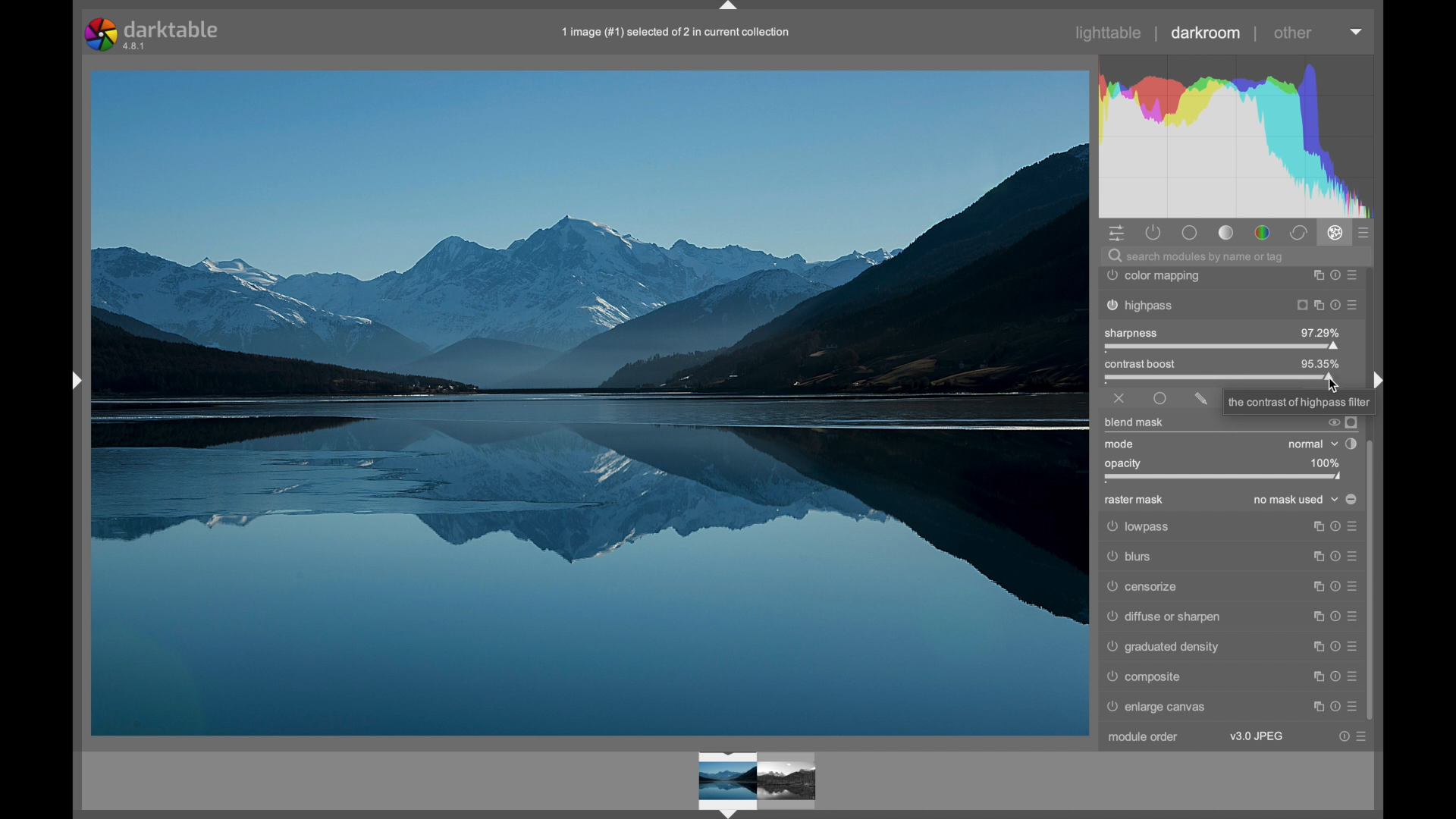  Describe the element at coordinates (1153, 233) in the screenshot. I see `show active modules only` at that location.